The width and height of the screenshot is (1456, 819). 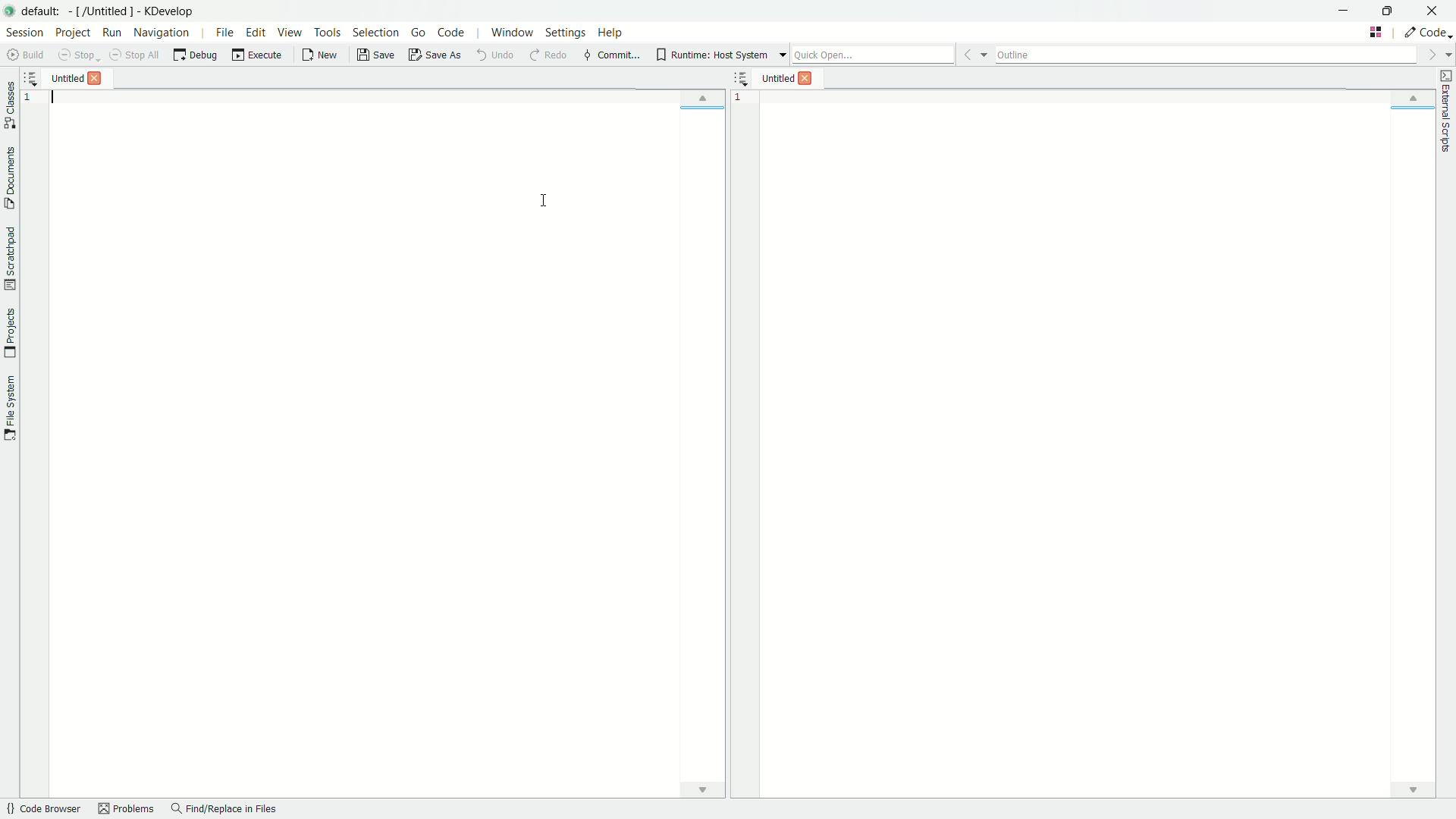 What do you see at coordinates (95, 79) in the screenshot?
I see `close` at bounding box center [95, 79].